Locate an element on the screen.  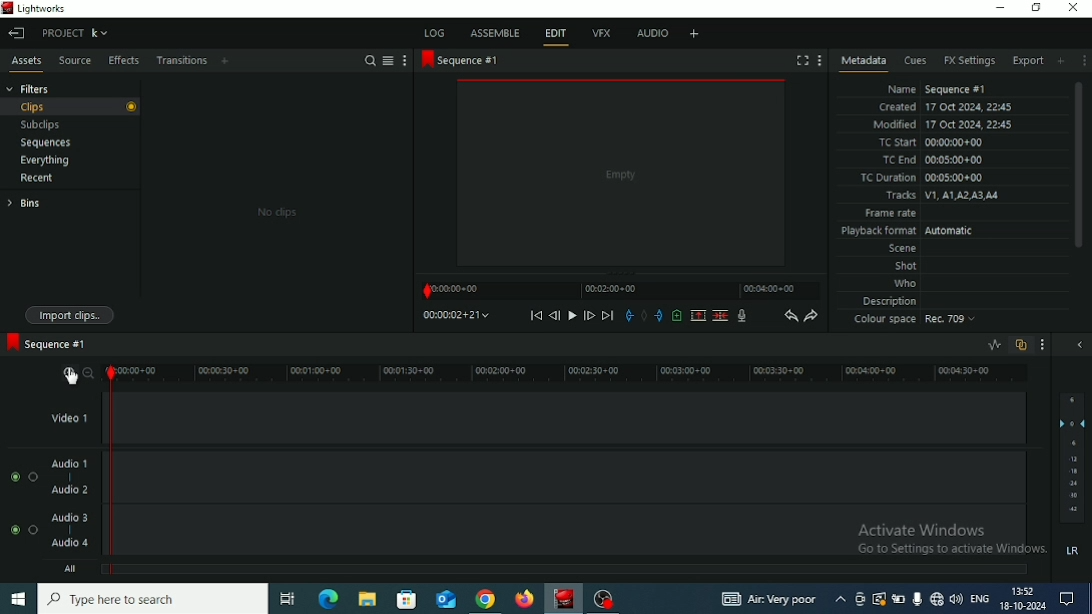
Firefox is located at coordinates (521, 600).